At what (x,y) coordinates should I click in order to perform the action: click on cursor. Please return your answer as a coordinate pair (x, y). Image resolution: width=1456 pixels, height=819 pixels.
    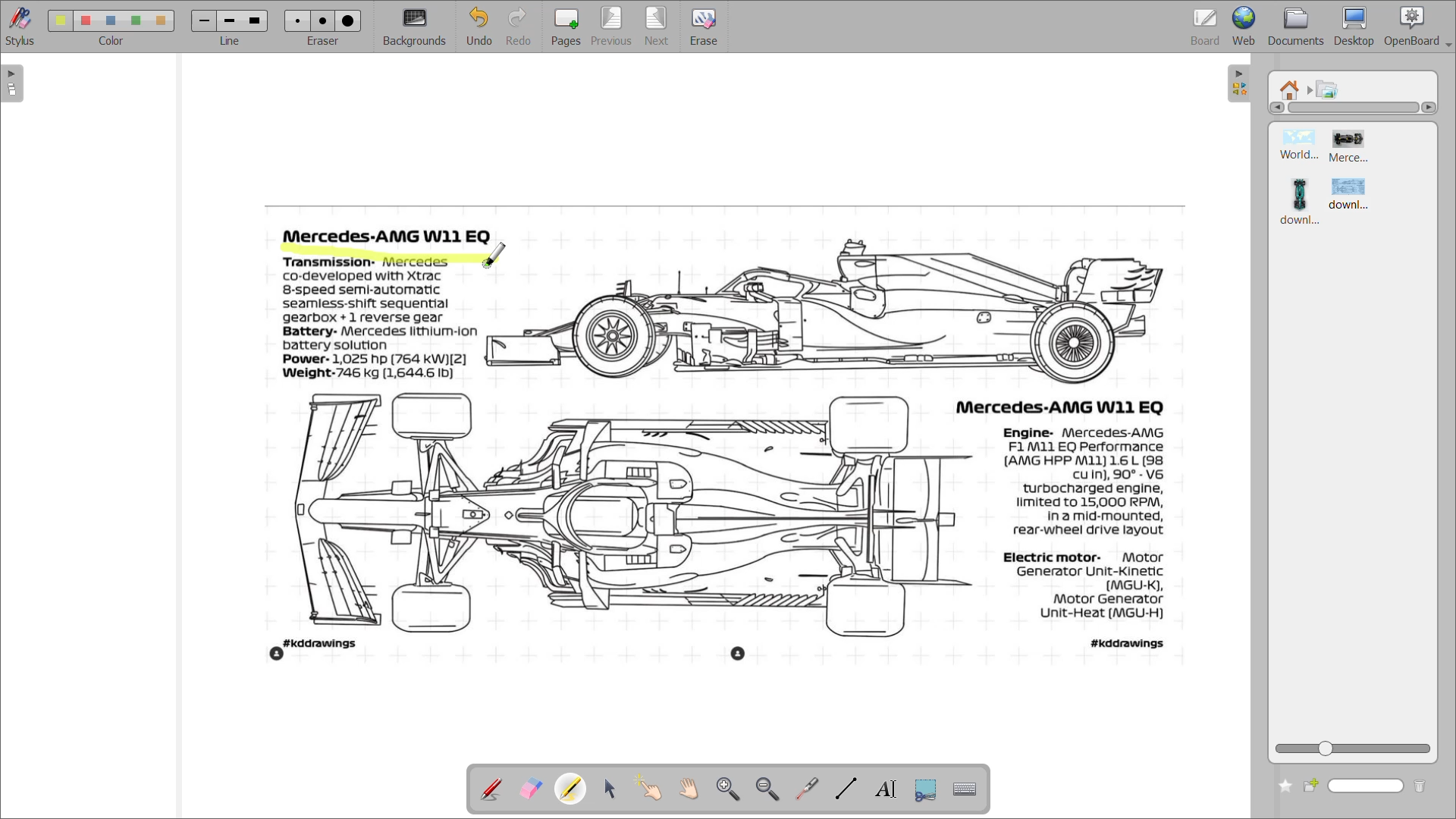
    Looking at the image, I should click on (496, 256).